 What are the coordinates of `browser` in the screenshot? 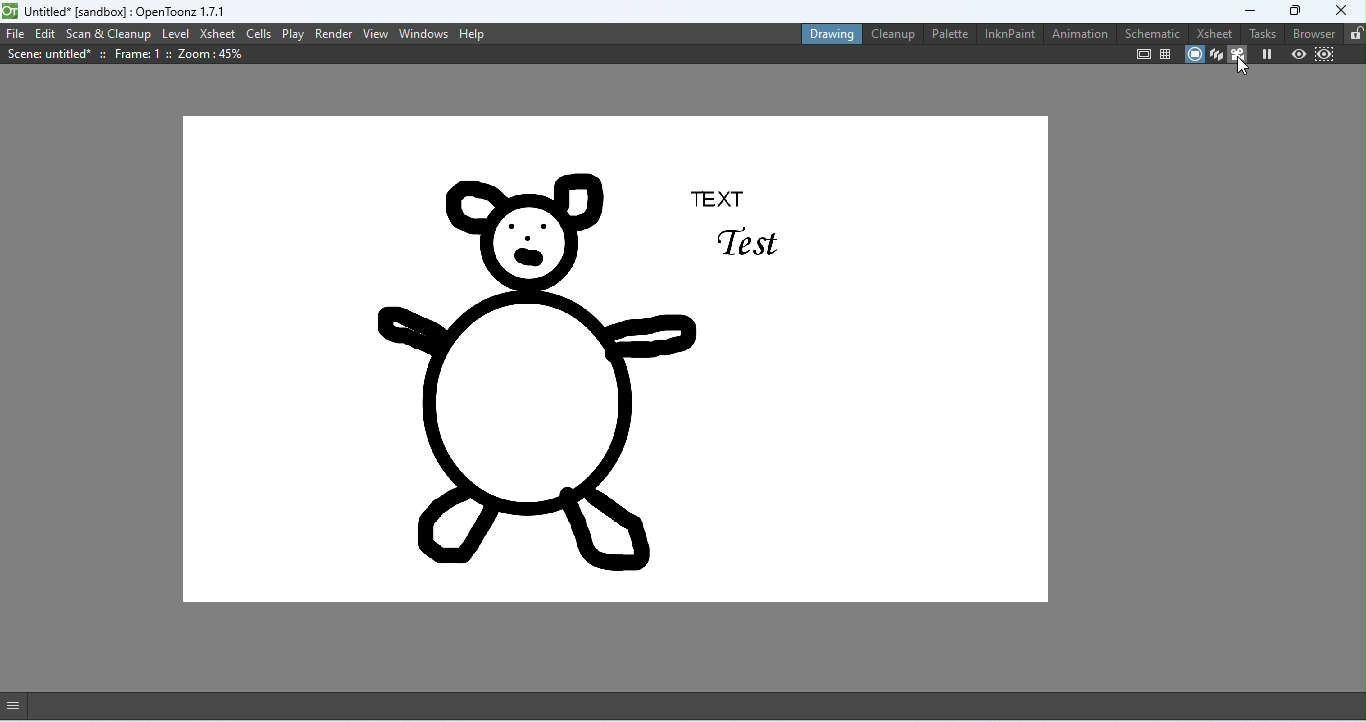 It's located at (1312, 34).